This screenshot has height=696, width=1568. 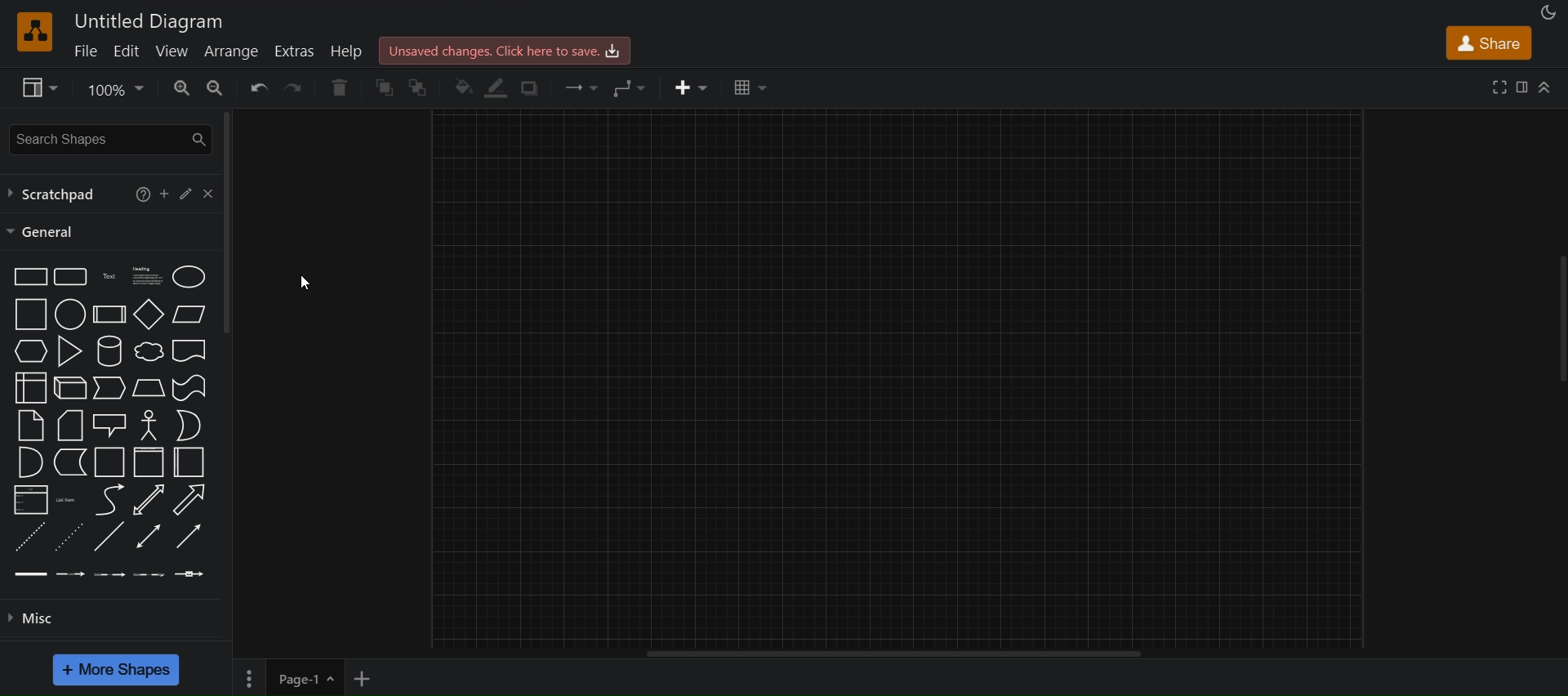 What do you see at coordinates (212, 194) in the screenshot?
I see `close` at bounding box center [212, 194].